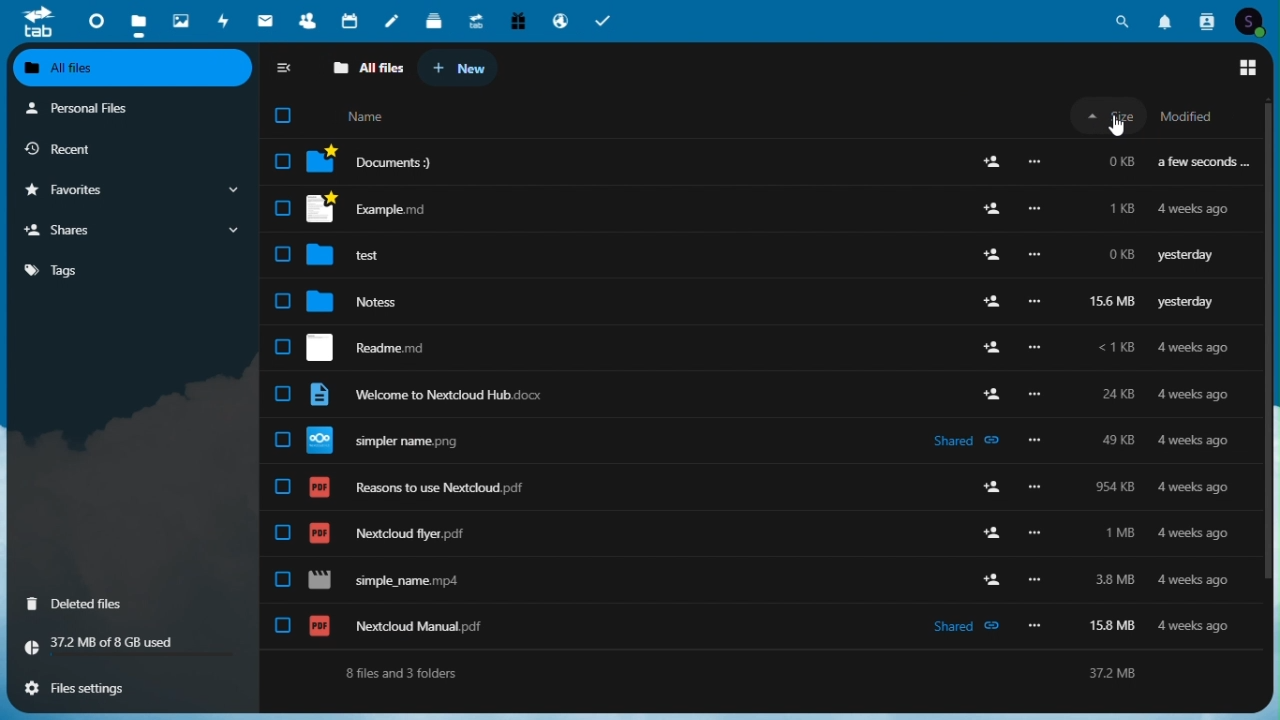 This screenshot has height=720, width=1280. Describe the element at coordinates (127, 689) in the screenshot. I see `File settings` at that location.